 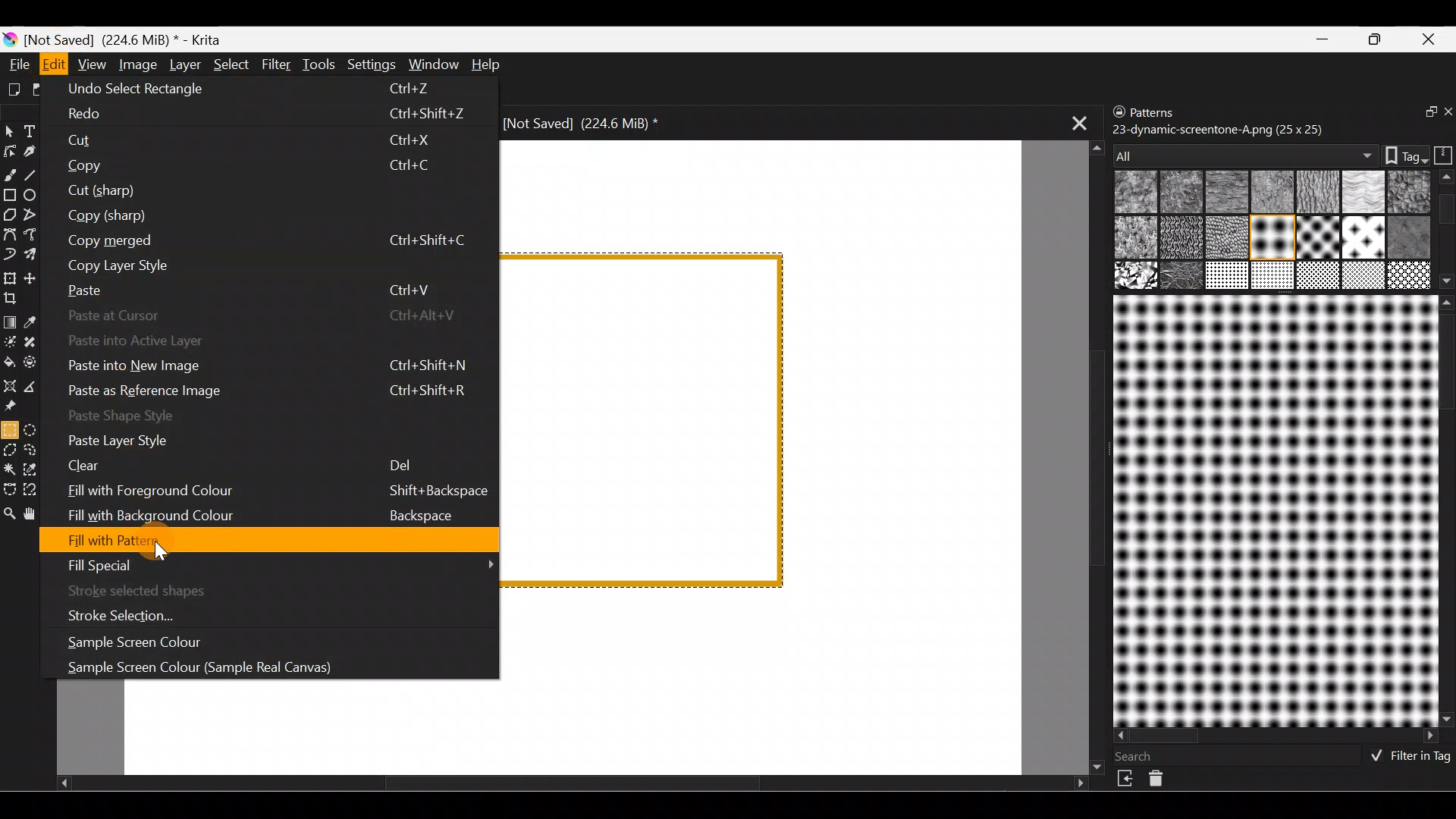 What do you see at coordinates (1073, 124) in the screenshot?
I see `Close tab` at bounding box center [1073, 124].